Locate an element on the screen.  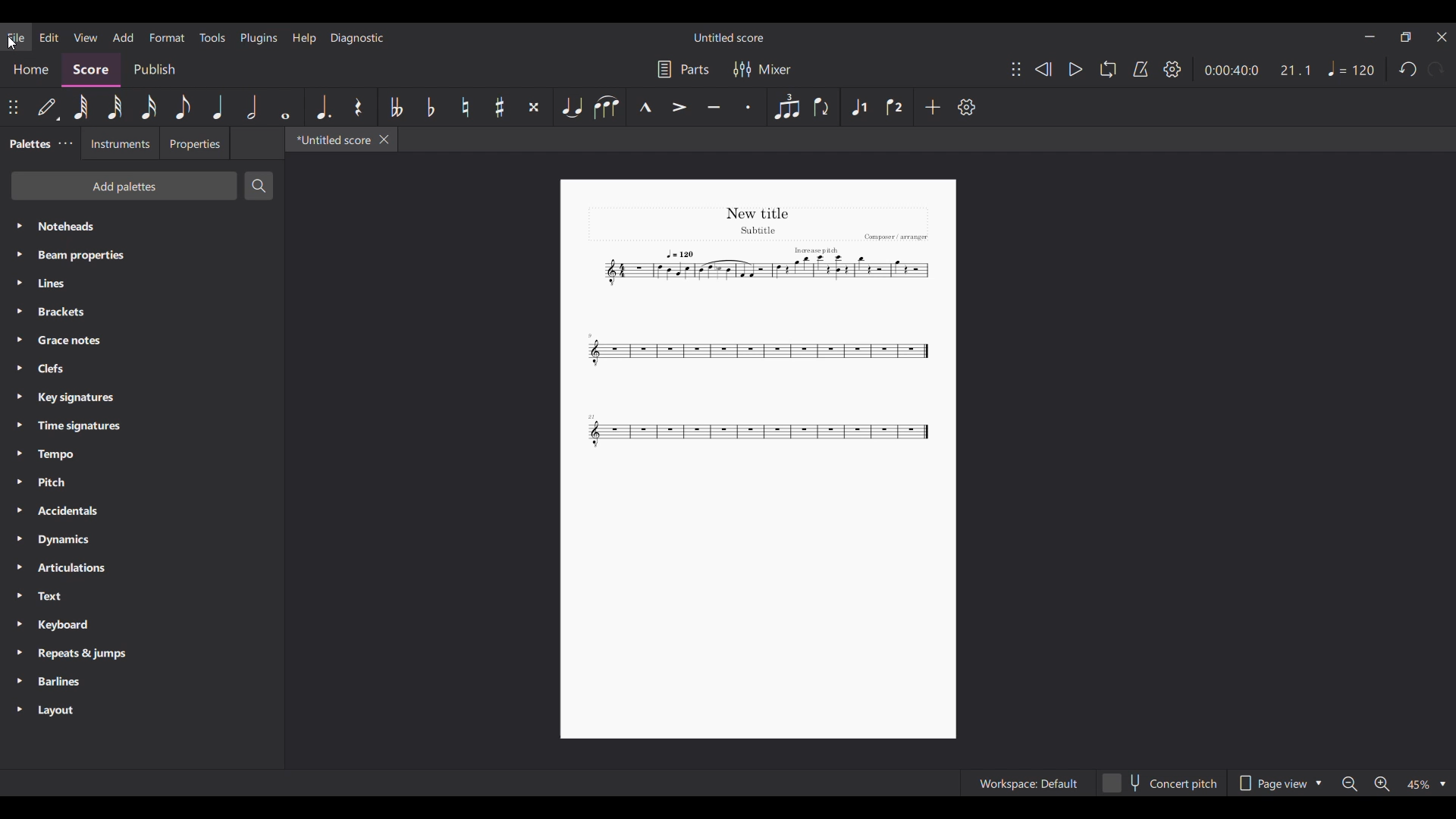
Quarter note is located at coordinates (218, 107).